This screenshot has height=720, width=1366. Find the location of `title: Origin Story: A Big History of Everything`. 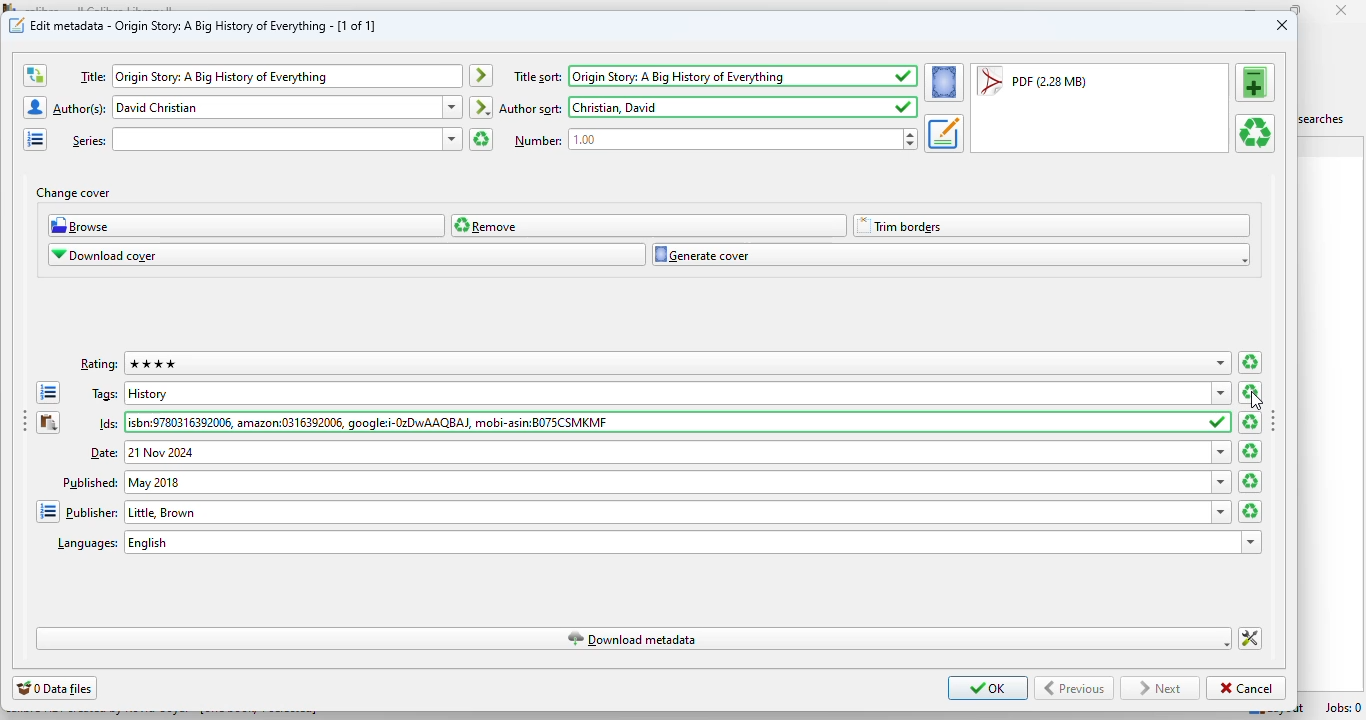

title: Origin Story: A Big History of Everything is located at coordinates (286, 77).